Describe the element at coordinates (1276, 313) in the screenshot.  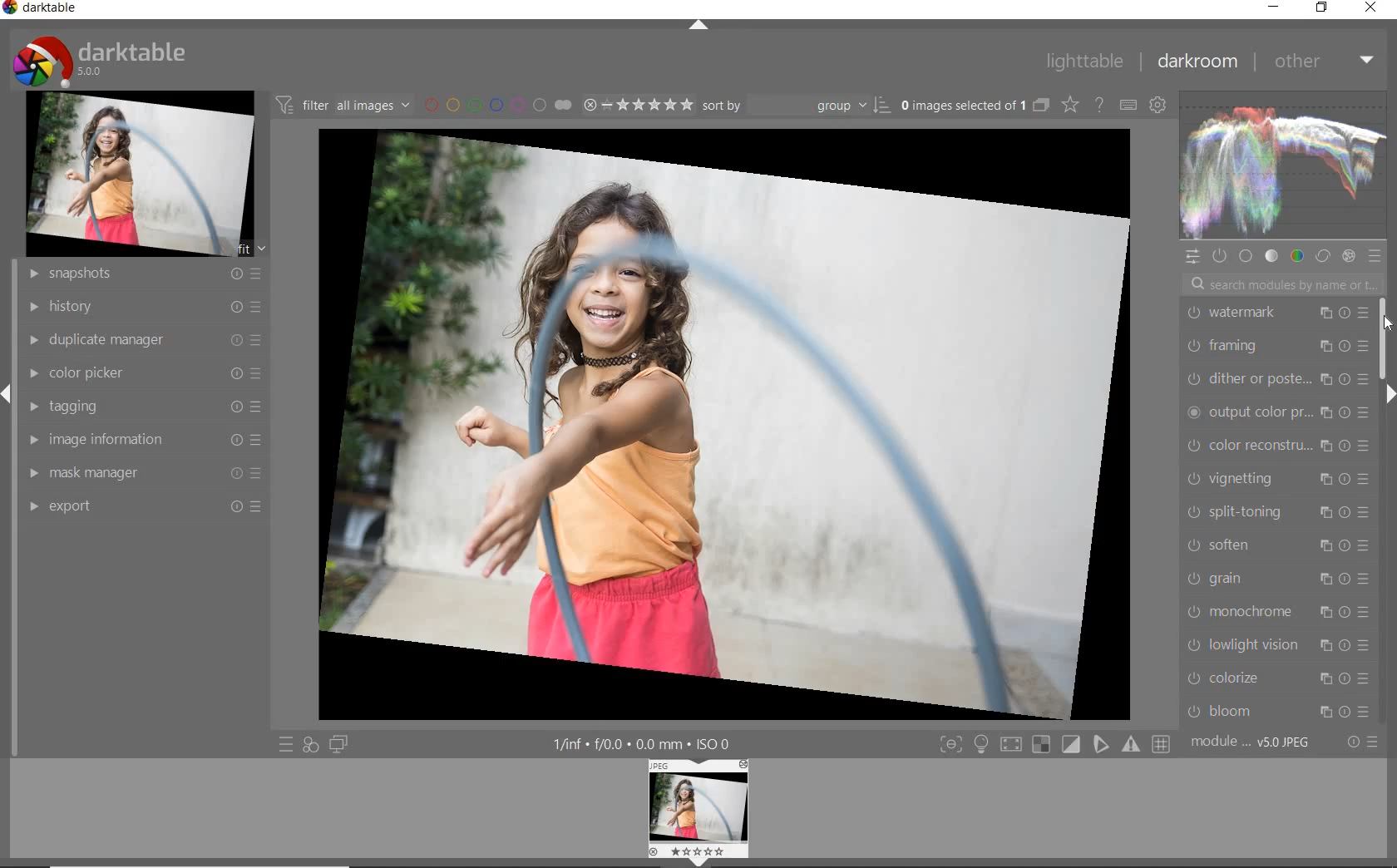
I see `watermark` at that location.